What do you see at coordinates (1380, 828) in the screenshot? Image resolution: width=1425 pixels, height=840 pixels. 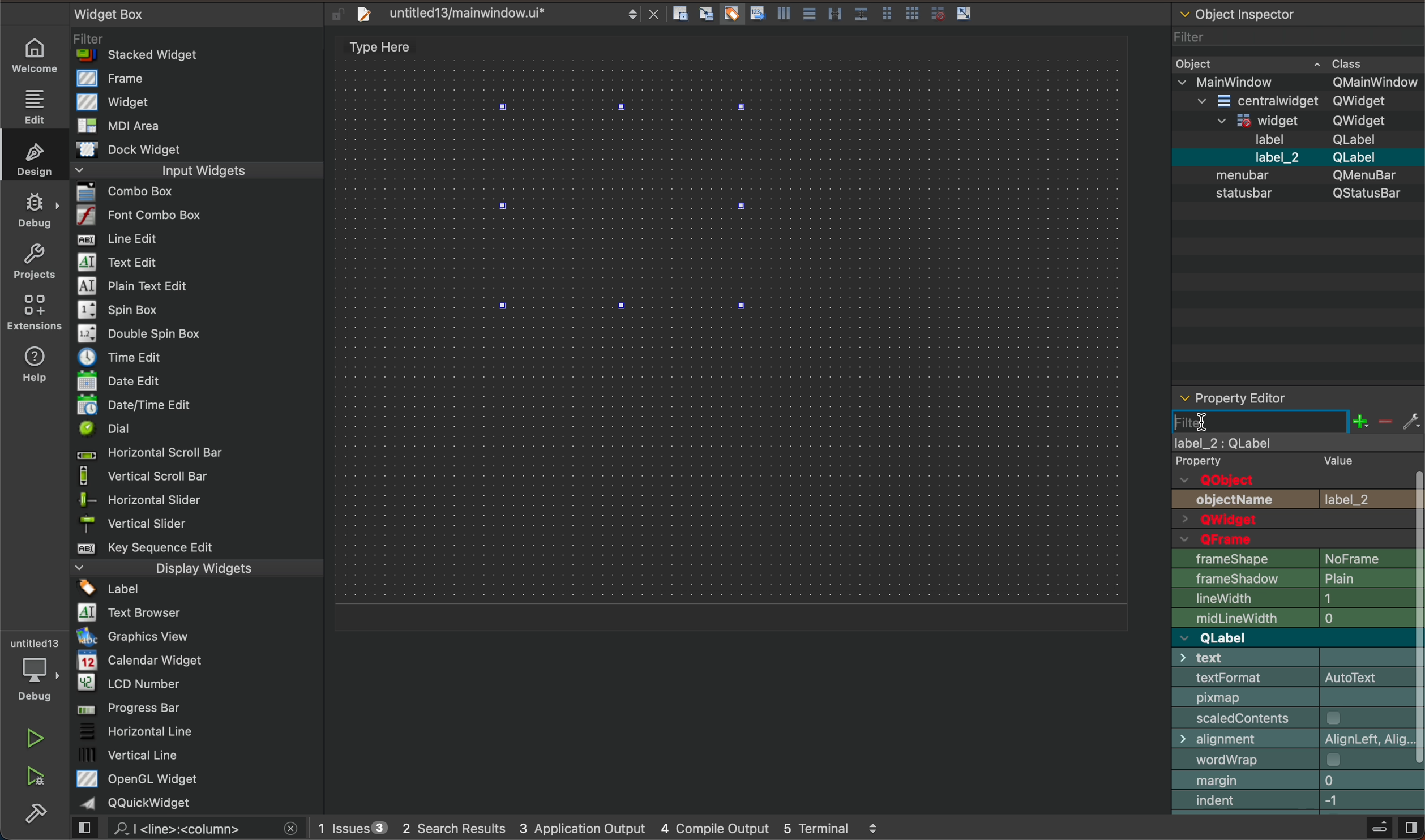 I see `` at bounding box center [1380, 828].